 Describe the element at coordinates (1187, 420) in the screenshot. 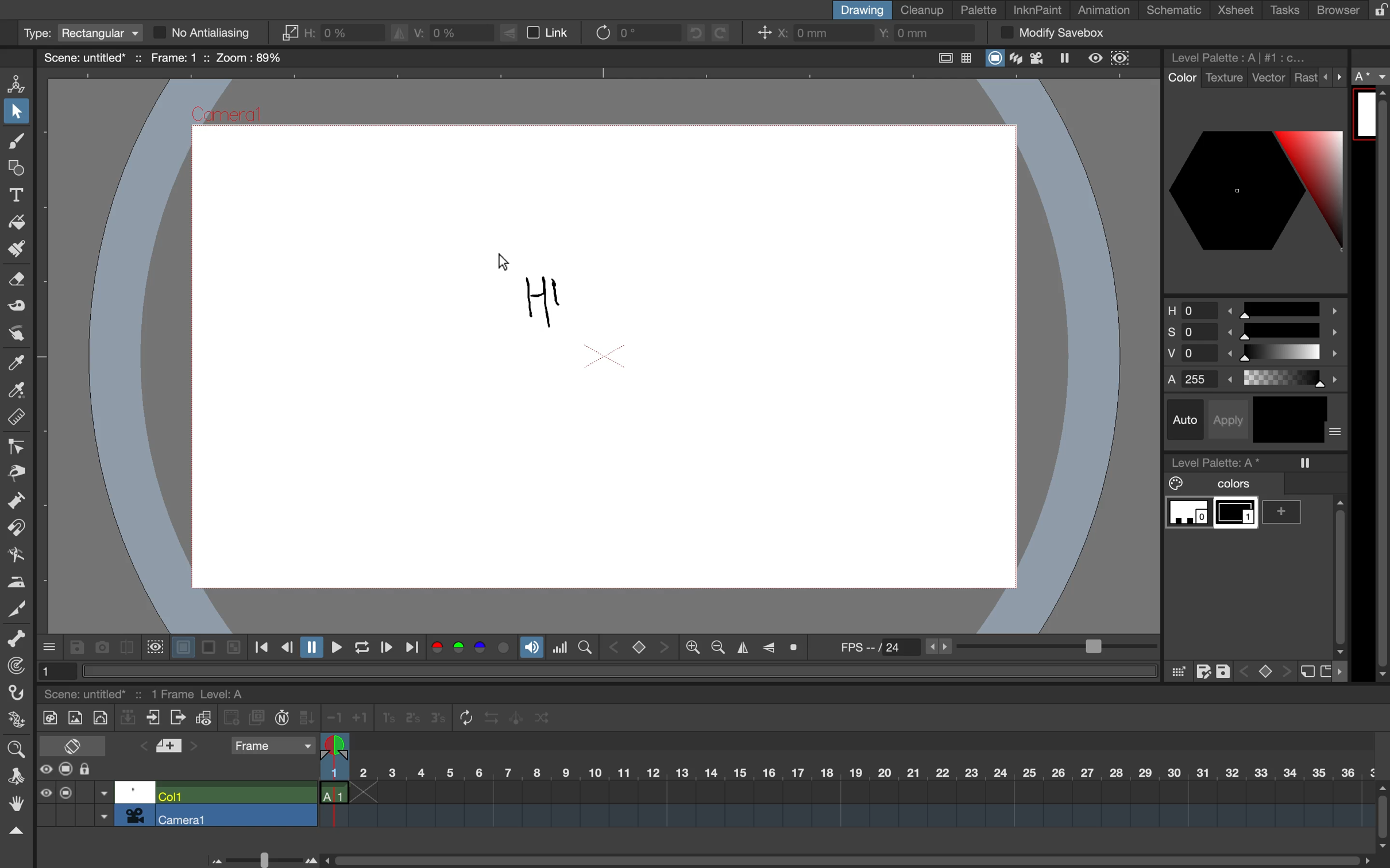

I see `auto` at that location.